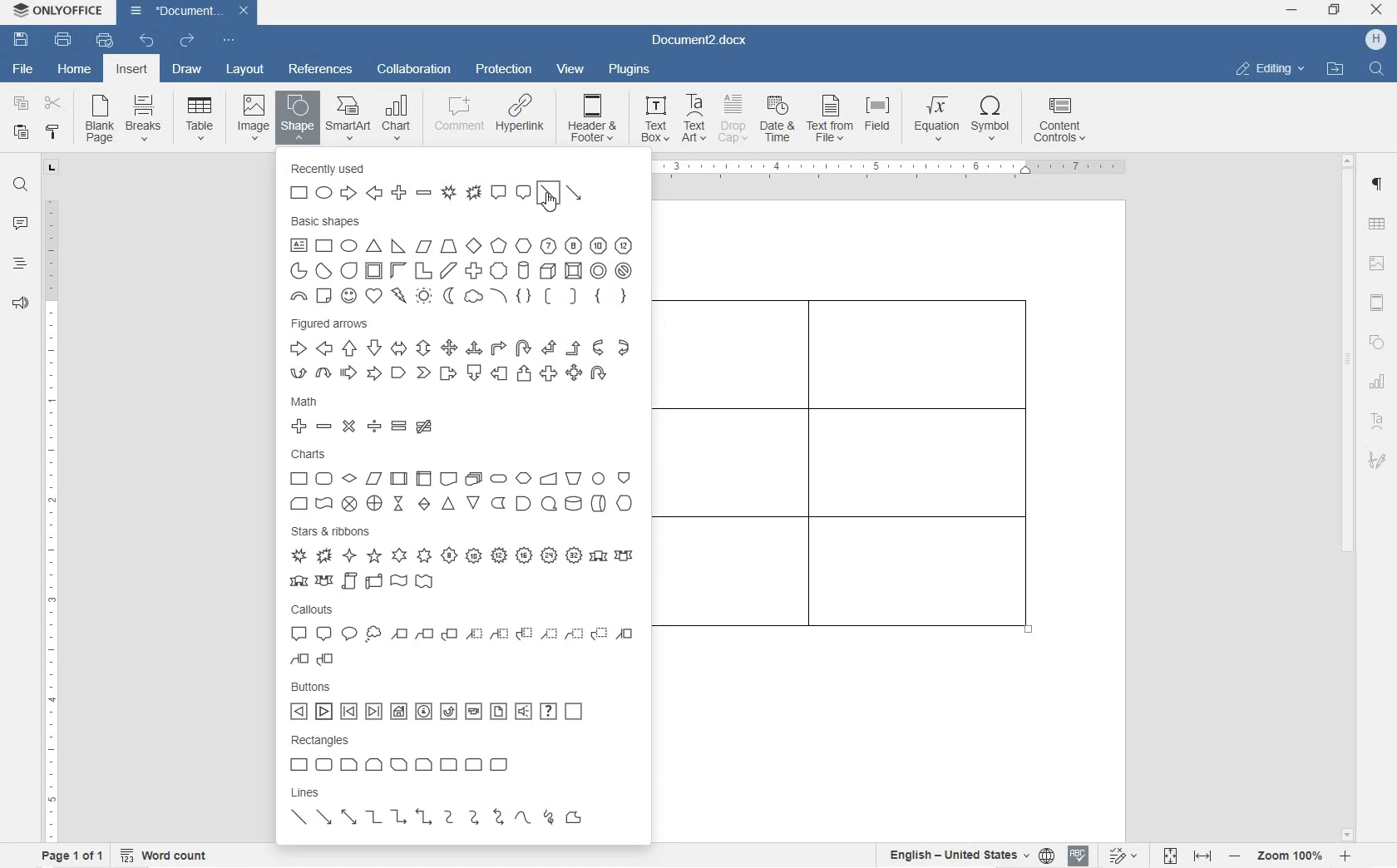 The image size is (1397, 868). Describe the element at coordinates (937, 119) in the screenshot. I see `EQUATION` at that location.